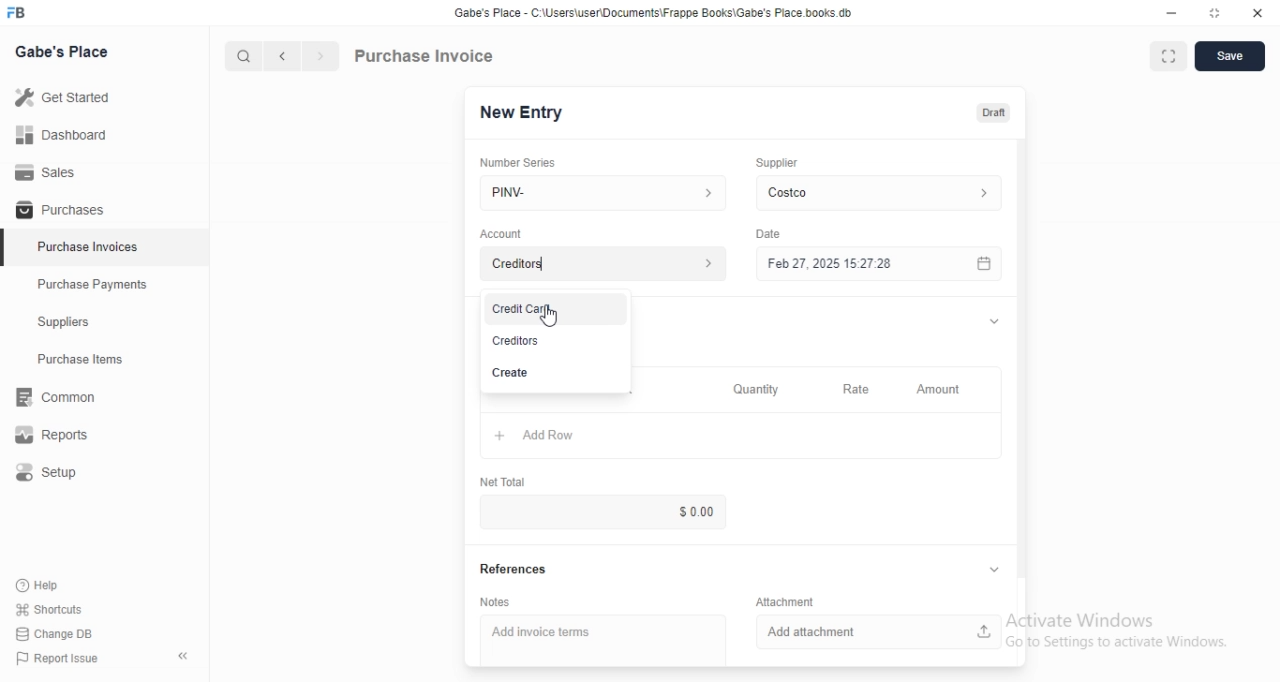  I want to click on Attachment, so click(785, 601).